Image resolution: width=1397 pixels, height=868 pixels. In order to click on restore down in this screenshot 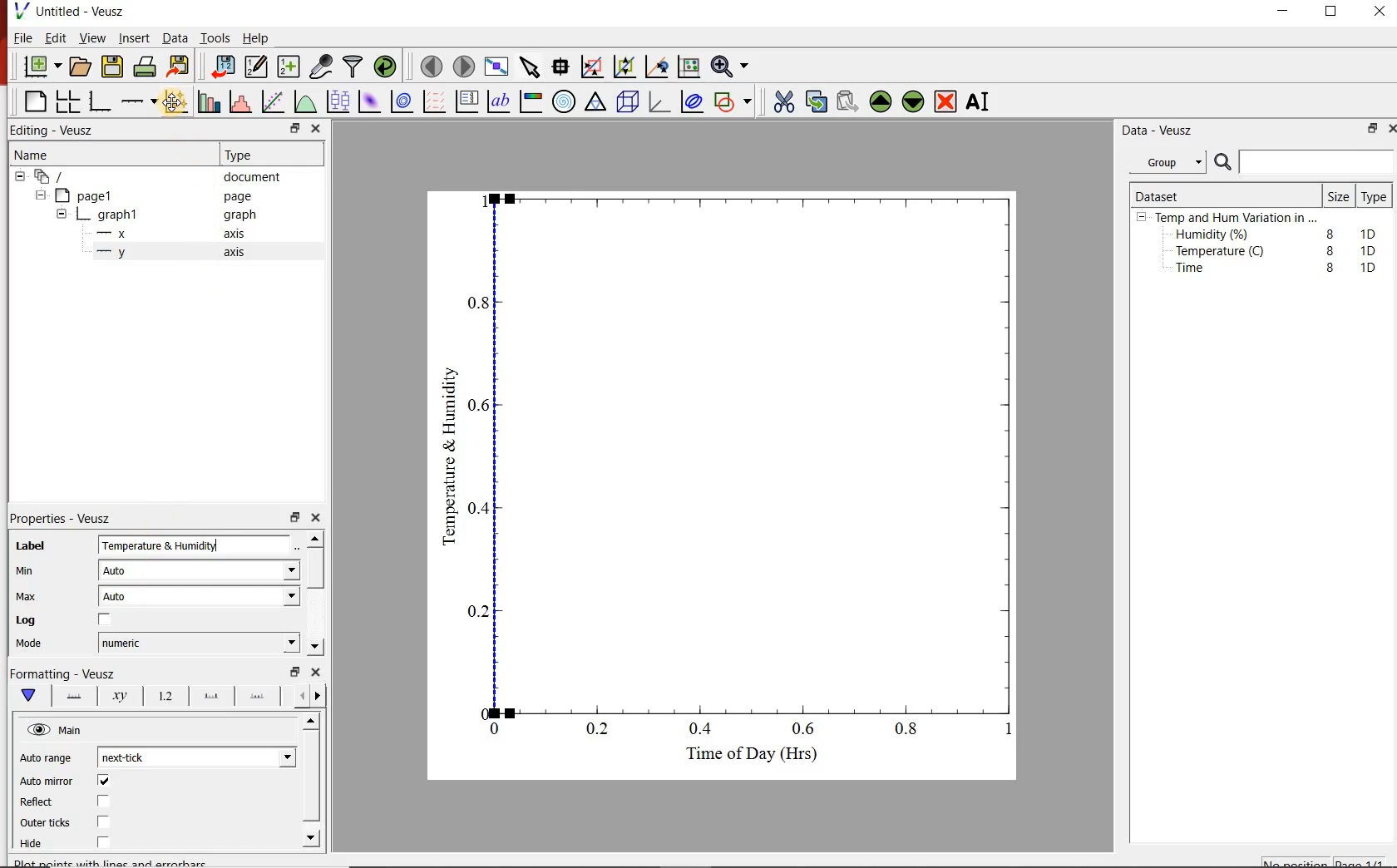, I will do `click(292, 672)`.